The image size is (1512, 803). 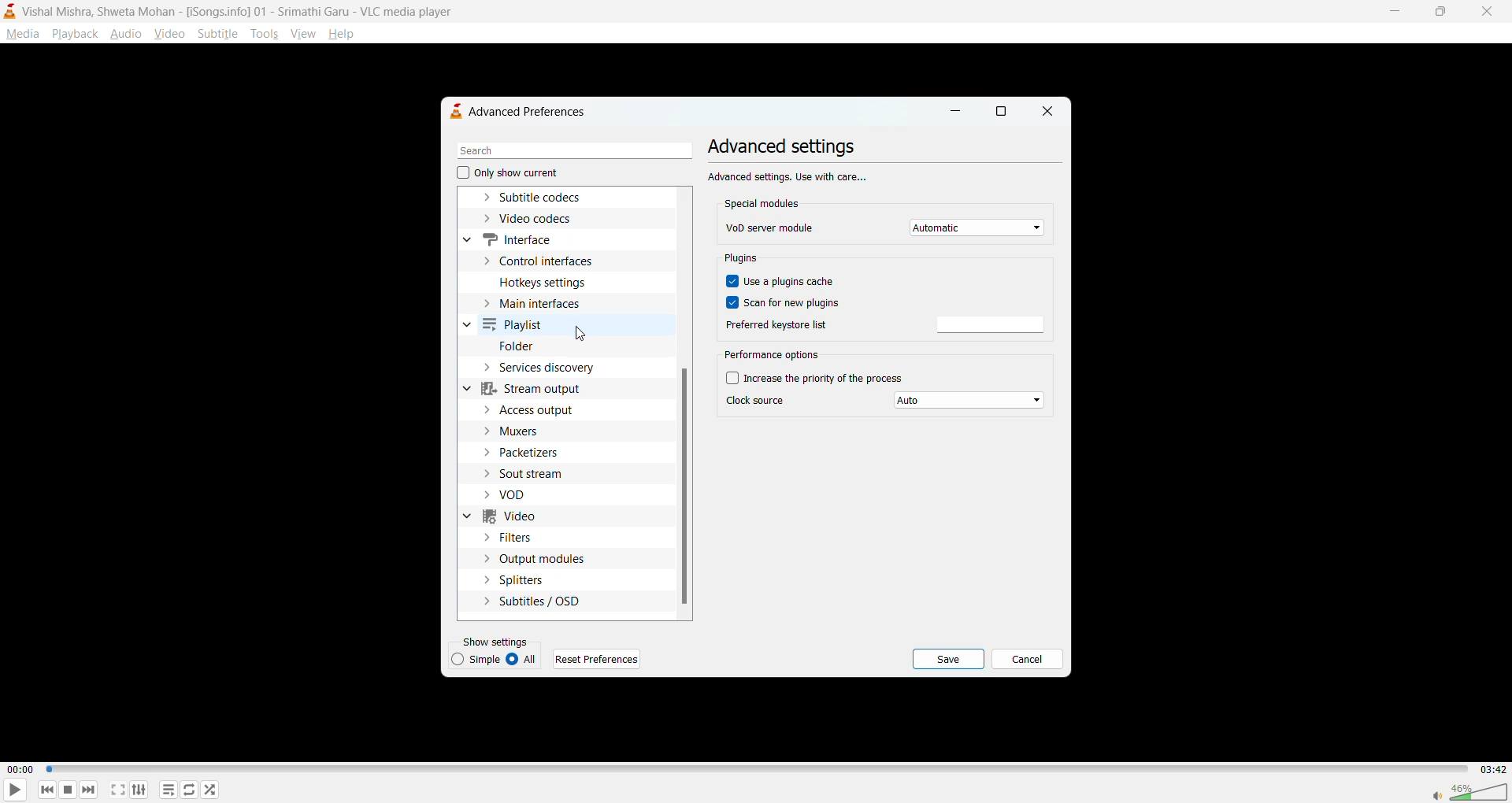 What do you see at coordinates (118, 790) in the screenshot?
I see `fullscreen` at bounding box center [118, 790].